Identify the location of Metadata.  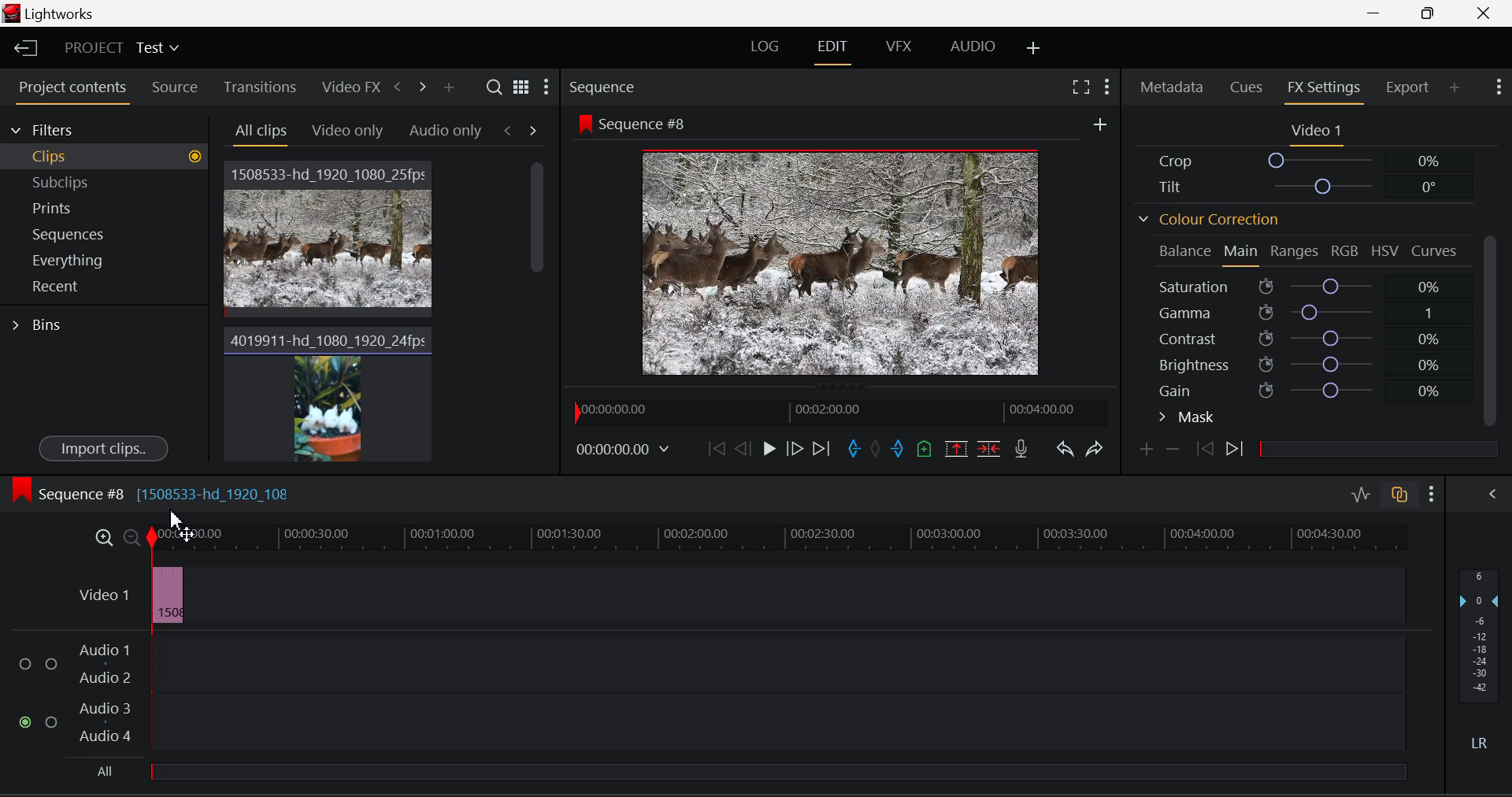
(1170, 87).